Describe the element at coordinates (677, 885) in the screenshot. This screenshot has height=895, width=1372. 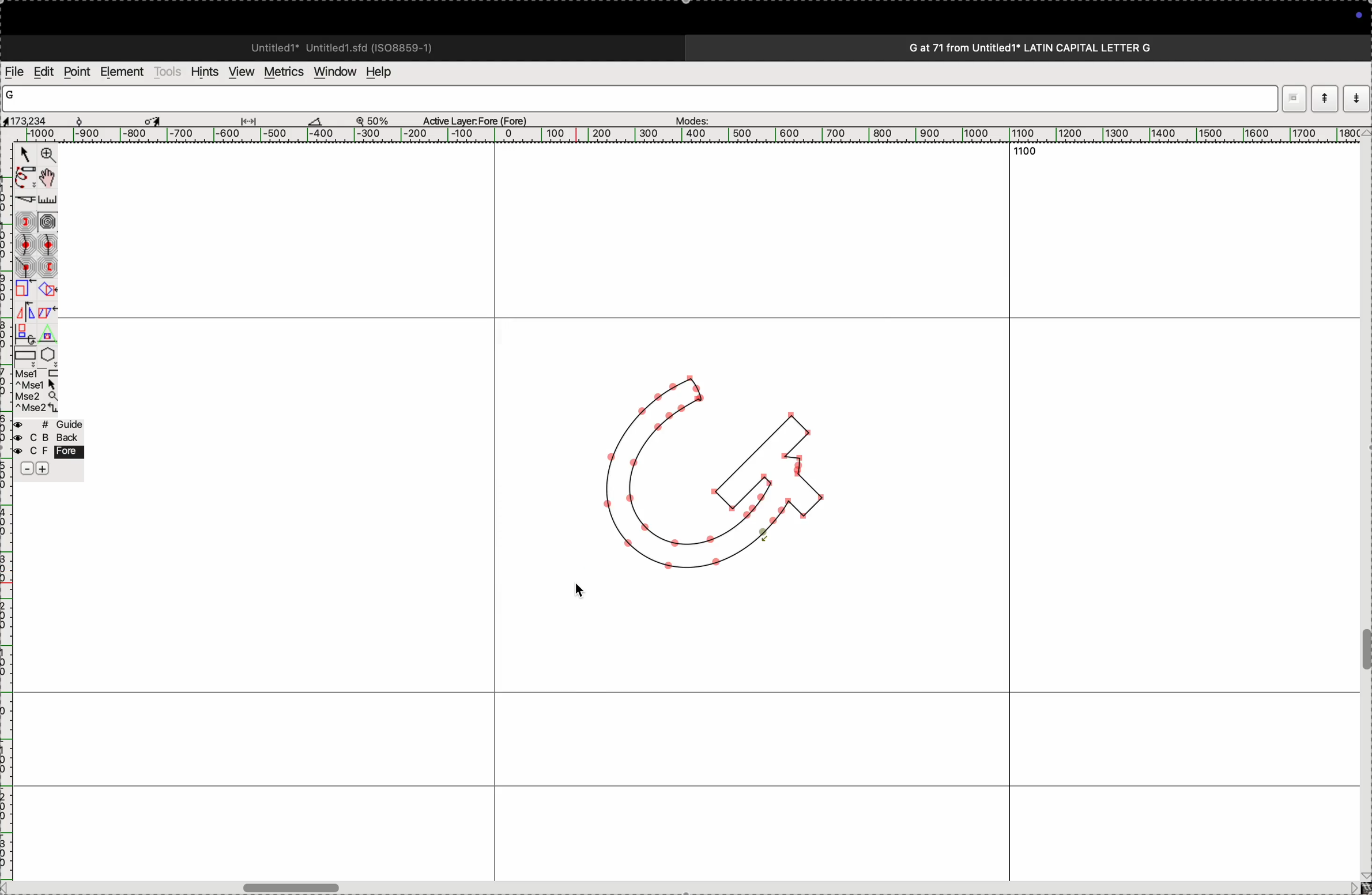
I see `horizontal scrollbar` at that location.